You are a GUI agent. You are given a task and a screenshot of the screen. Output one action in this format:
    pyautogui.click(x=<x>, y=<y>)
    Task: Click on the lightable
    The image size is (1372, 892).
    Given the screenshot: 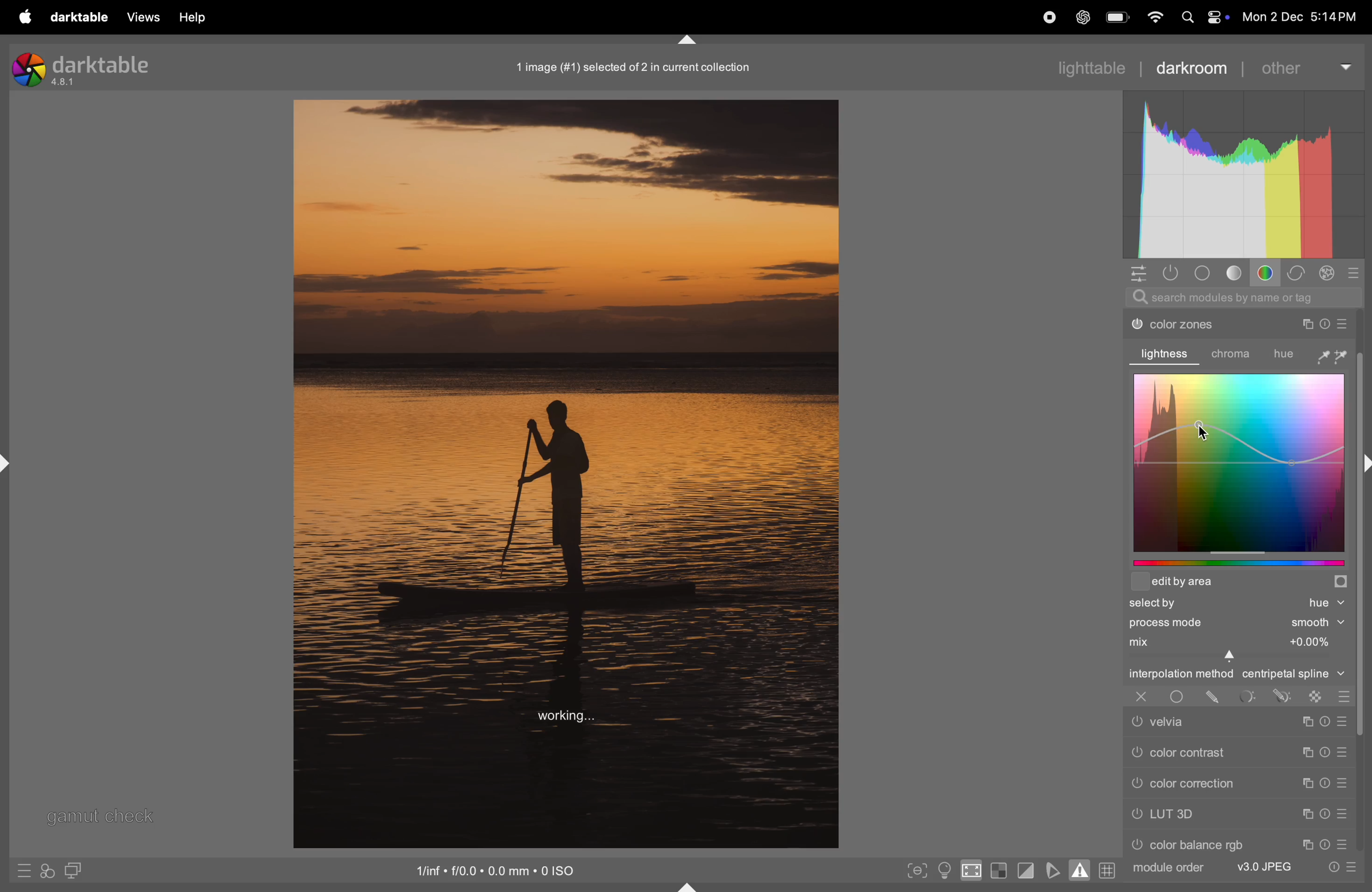 What is the action you would take?
    pyautogui.click(x=1083, y=68)
    